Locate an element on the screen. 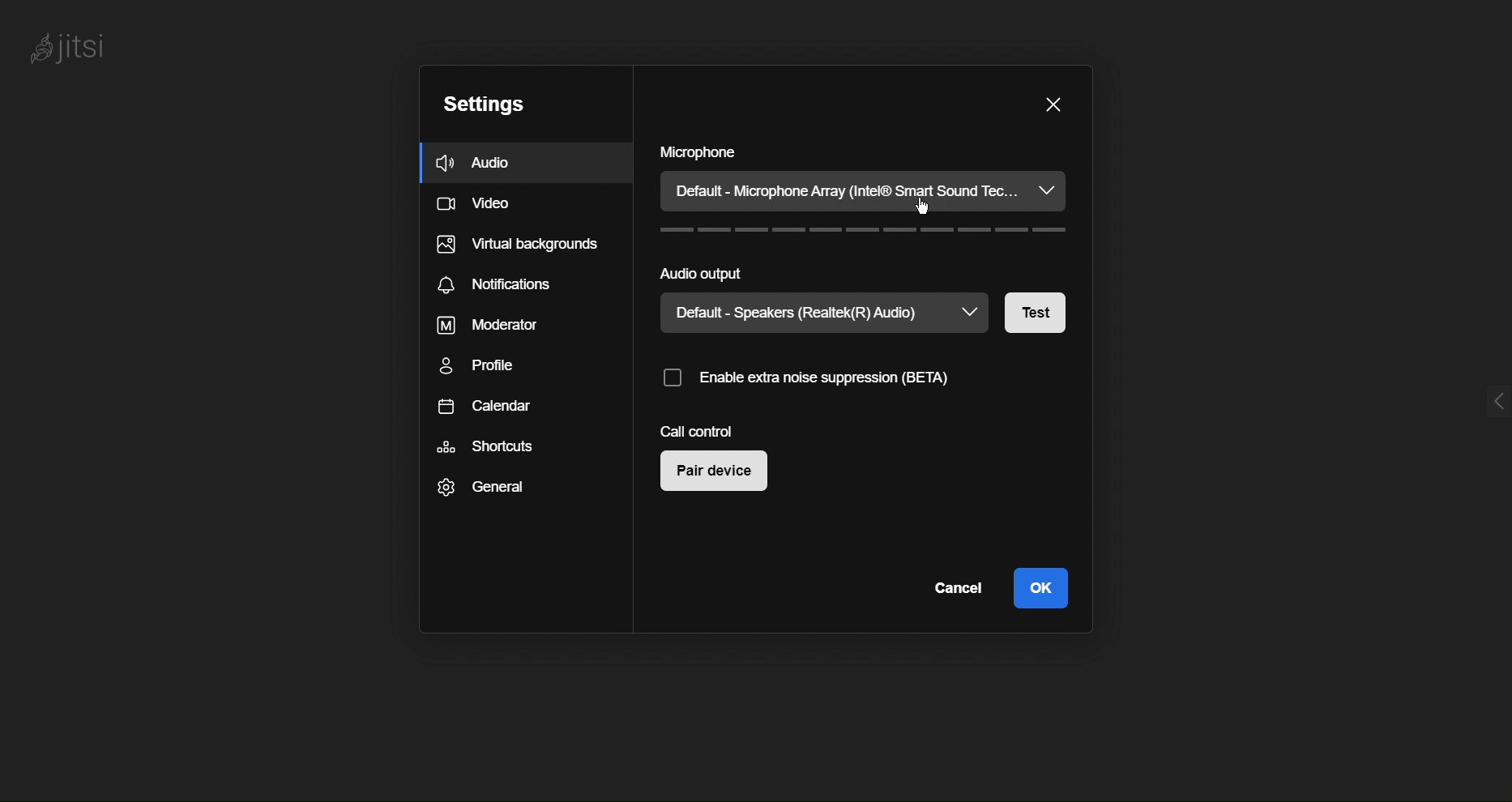 This screenshot has width=1512, height=802. Cancel is located at coordinates (954, 591).